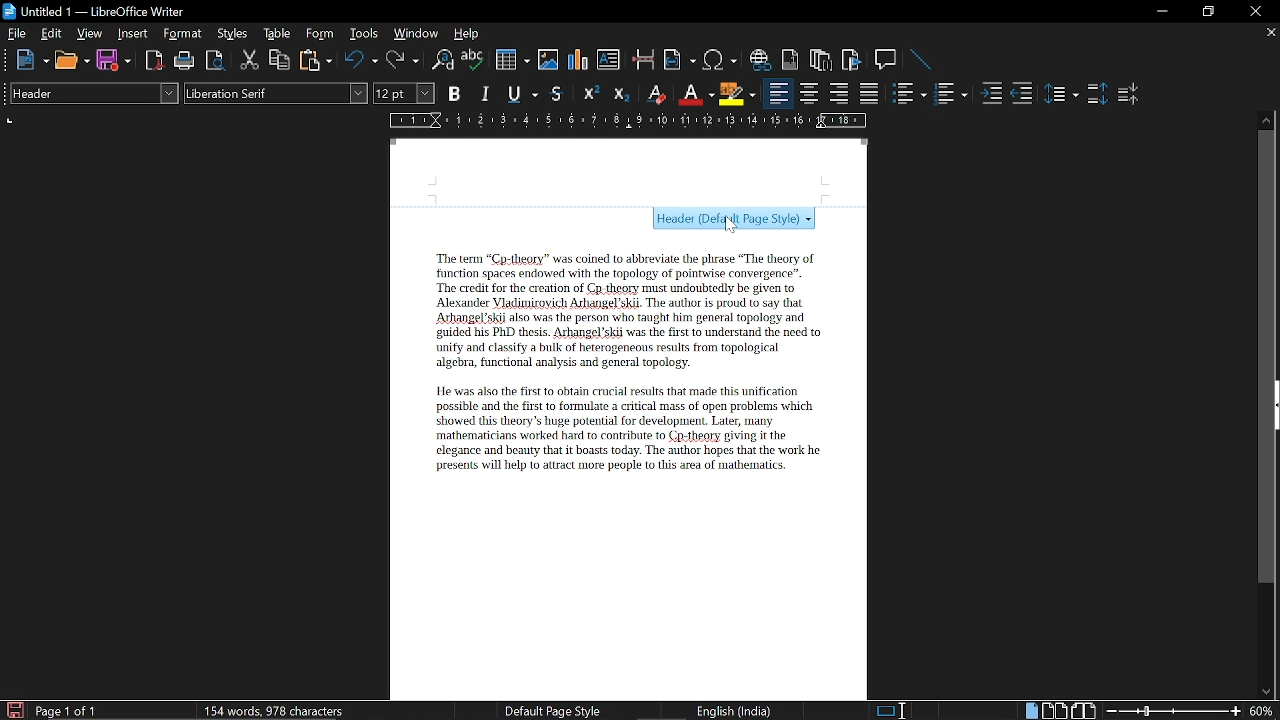 The width and height of the screenshot is (1280, 720). Describe the element at coordinates (680, 61) in the screenshot. I see `Insert field` at that location.